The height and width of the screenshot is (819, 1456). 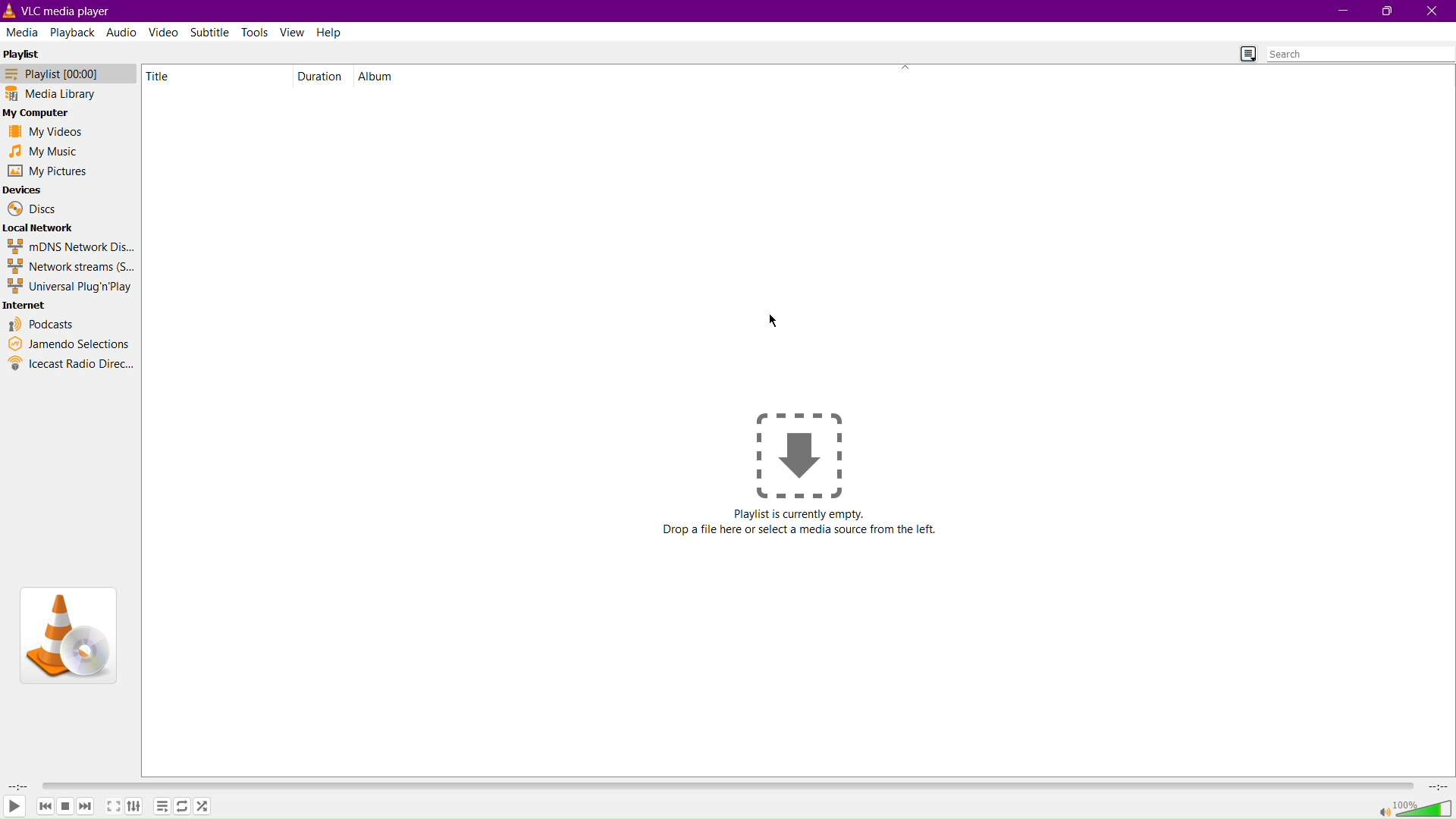 I want to click on spend time, so click(x=15, y=786).